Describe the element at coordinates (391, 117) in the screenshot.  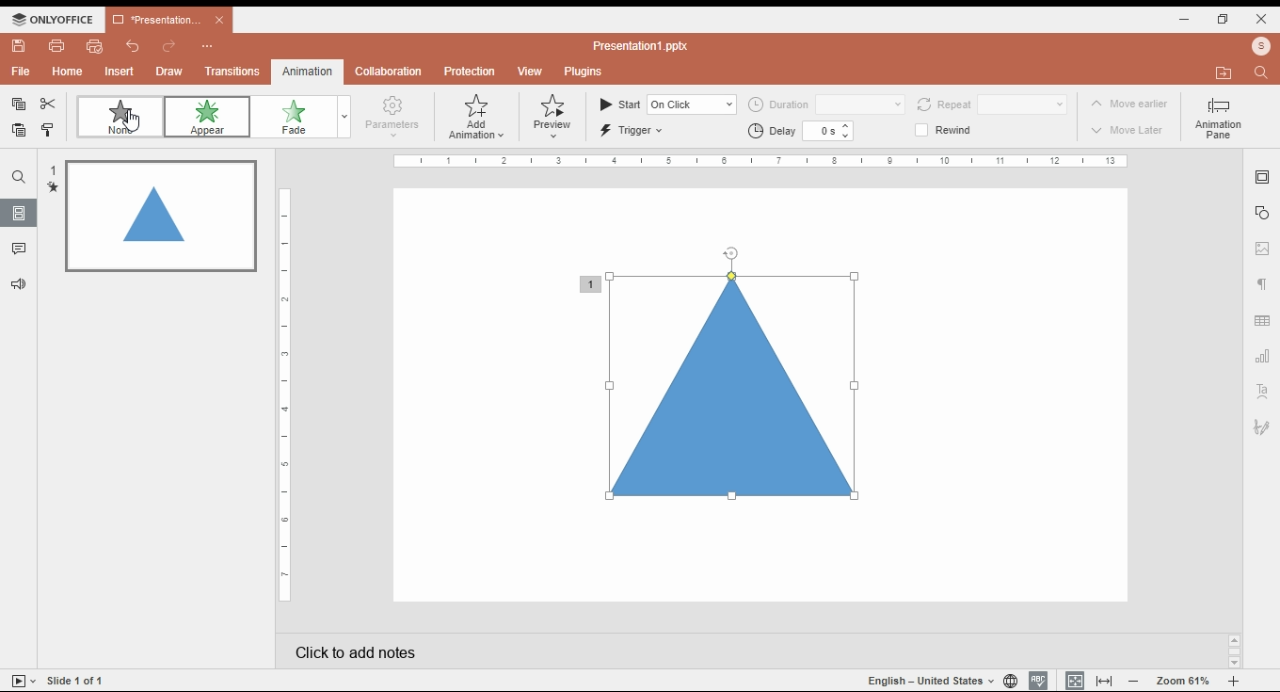
I see `parameters` at that location.